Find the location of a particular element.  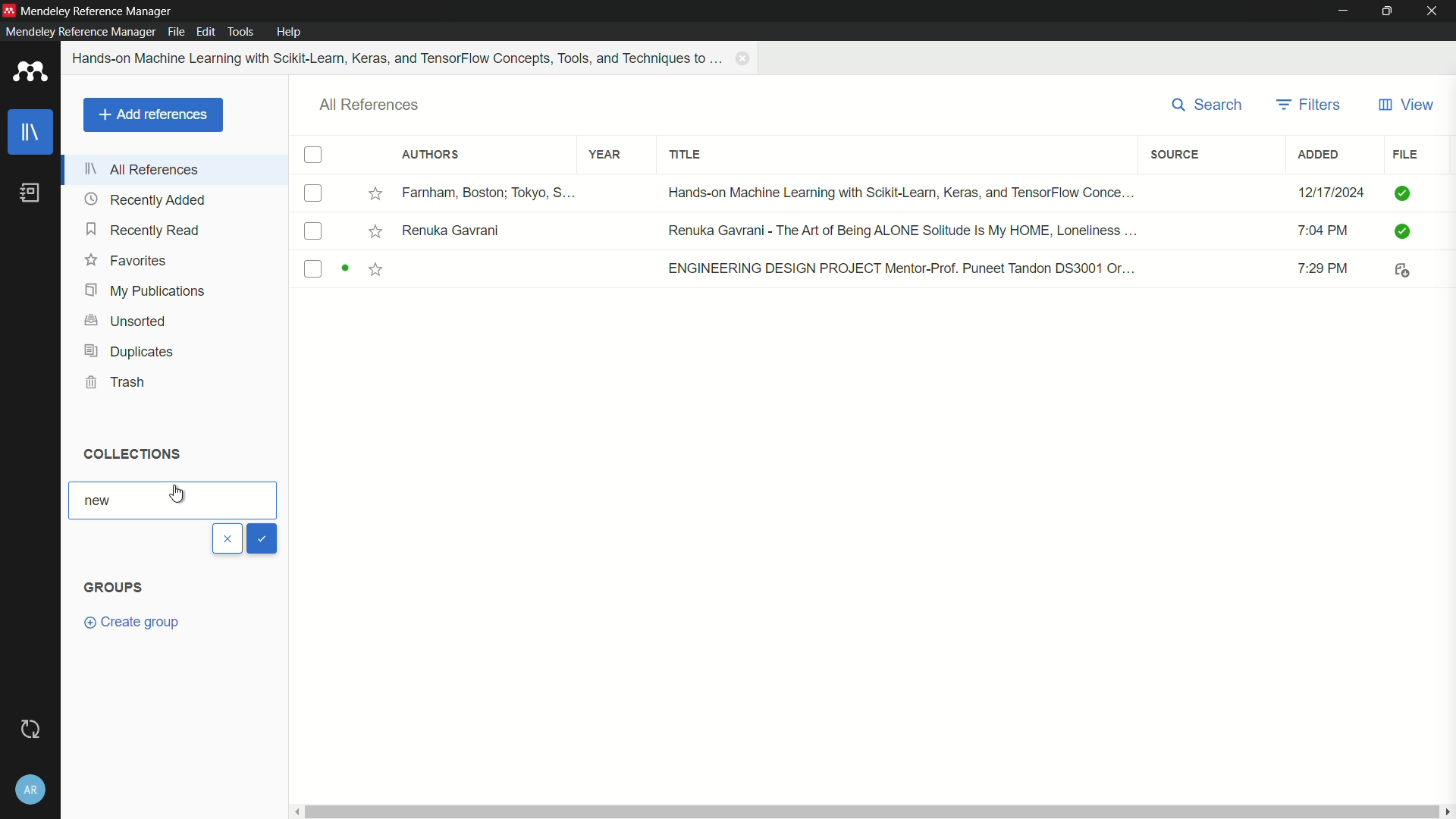

tools menu is located at coordinates (240, 33).